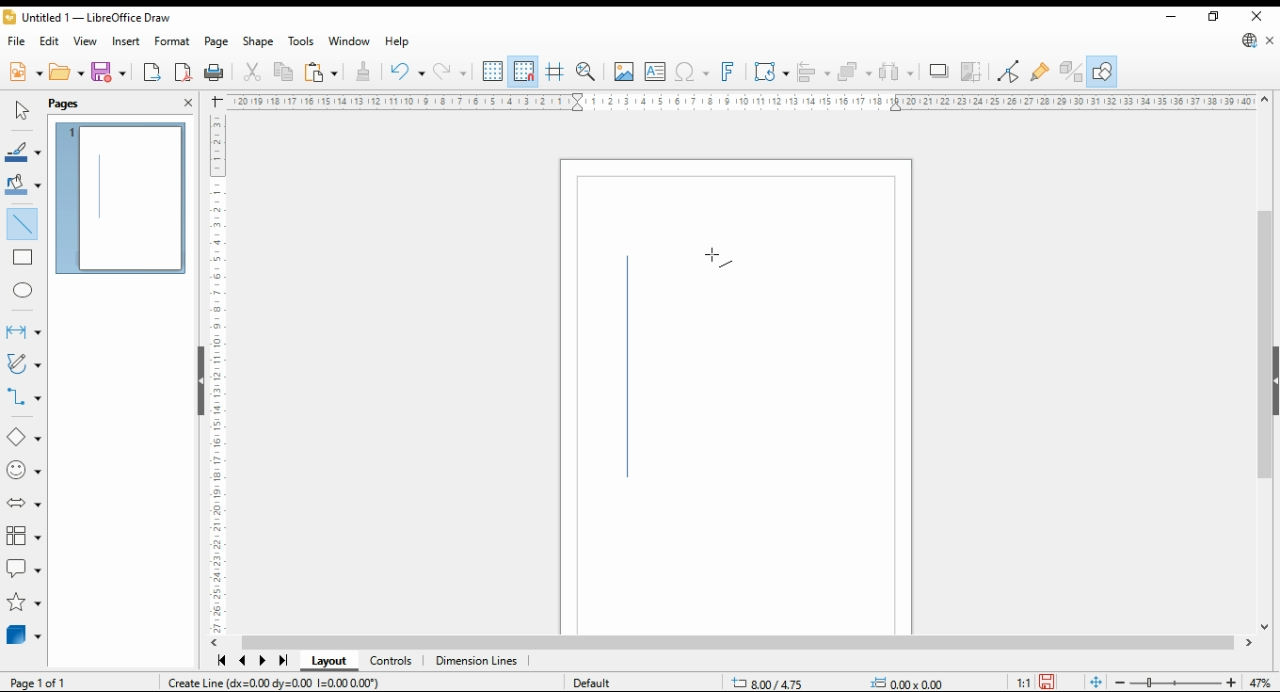 The width and height of the screenshot is (1280, 692). What do you see at coordinates (1254, 17) in the screenshot?
I see `close window` at bounding box center [1254, 17].